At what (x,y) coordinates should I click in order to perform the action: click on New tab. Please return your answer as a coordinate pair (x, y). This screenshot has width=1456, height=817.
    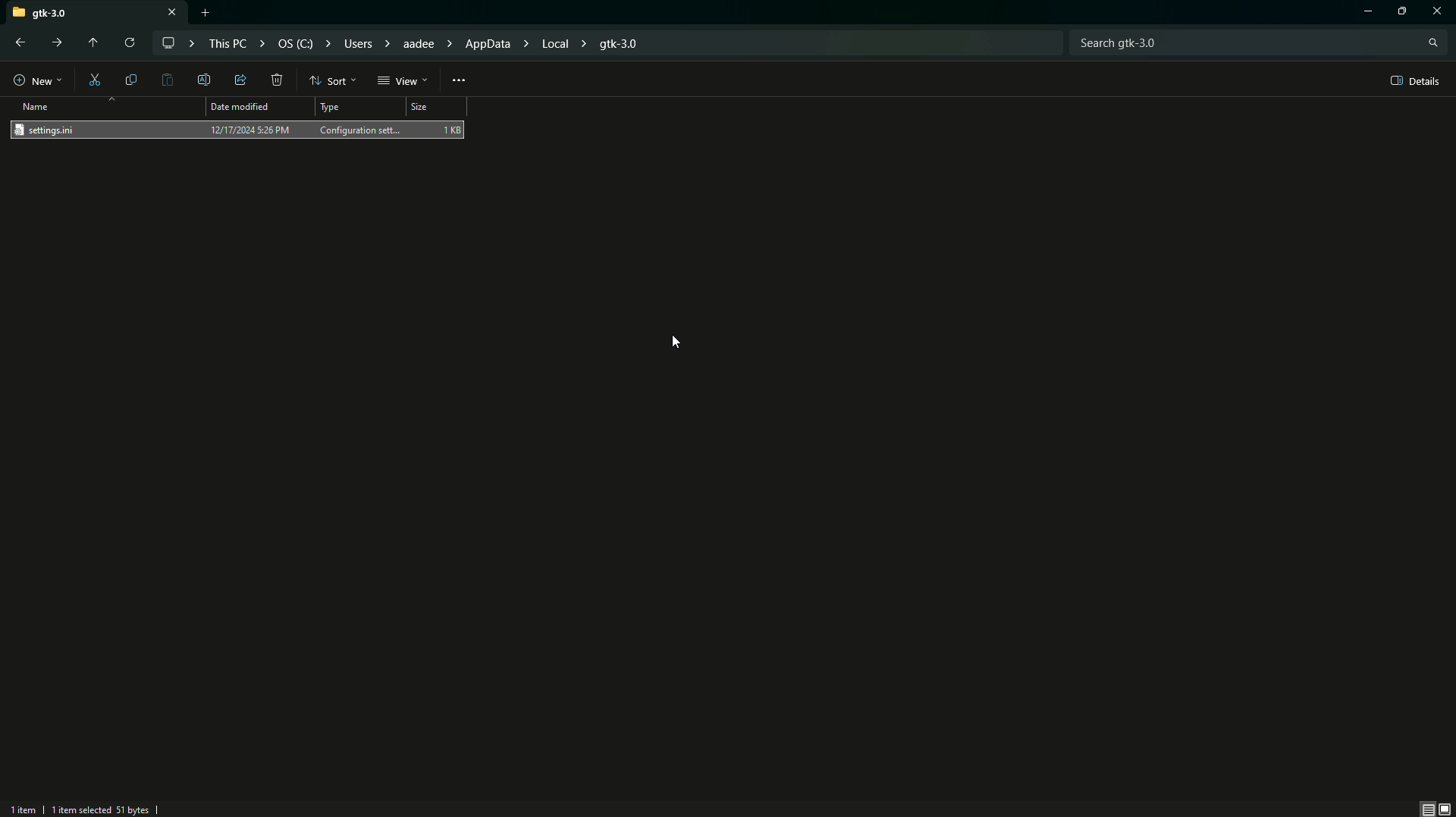
    Looking at the image, I should click on (205, 13).